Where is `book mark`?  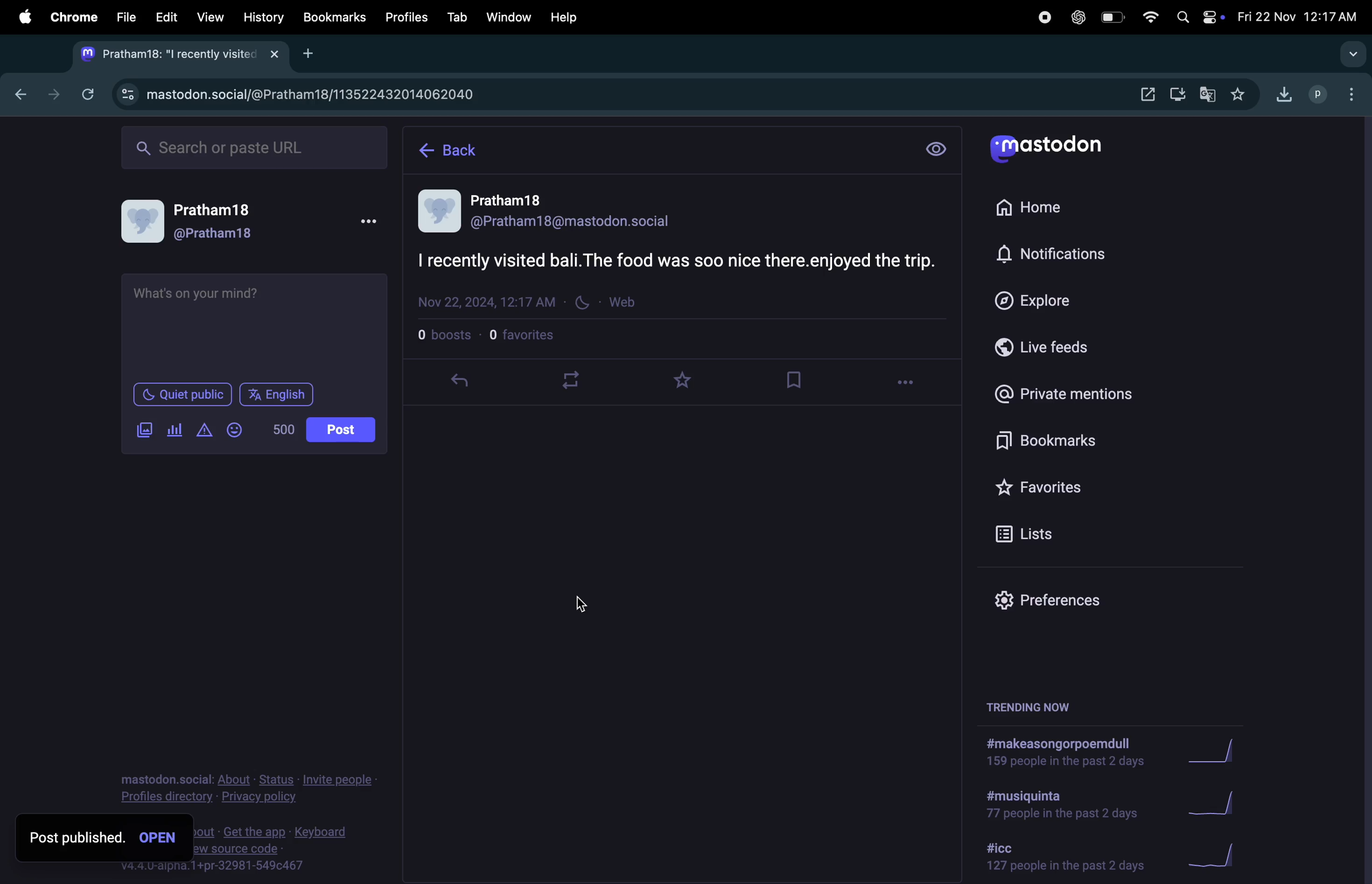
book mark is located at coordinates (1056, 441).